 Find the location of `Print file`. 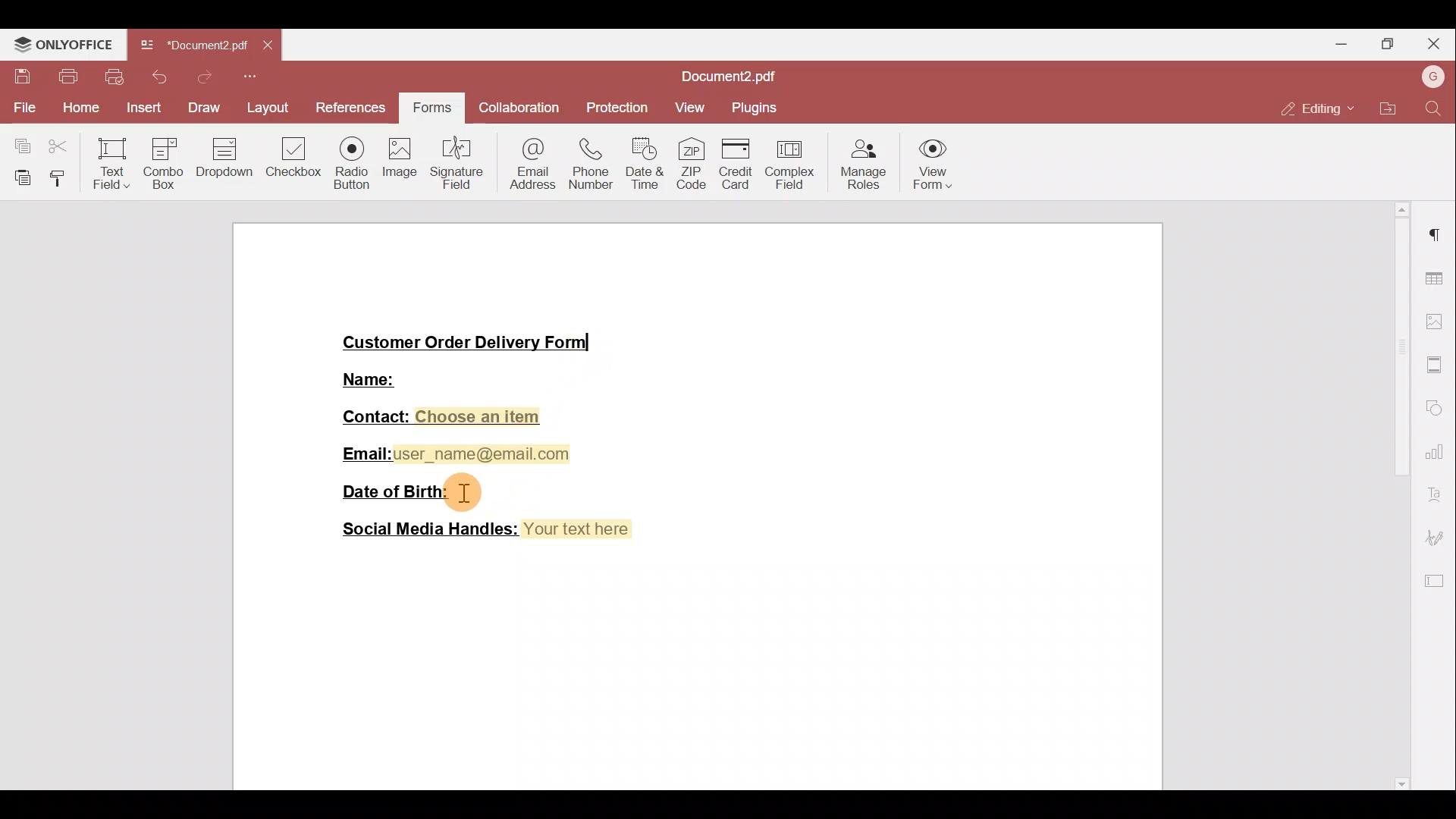

Print file is located at coordinates (63, 77).